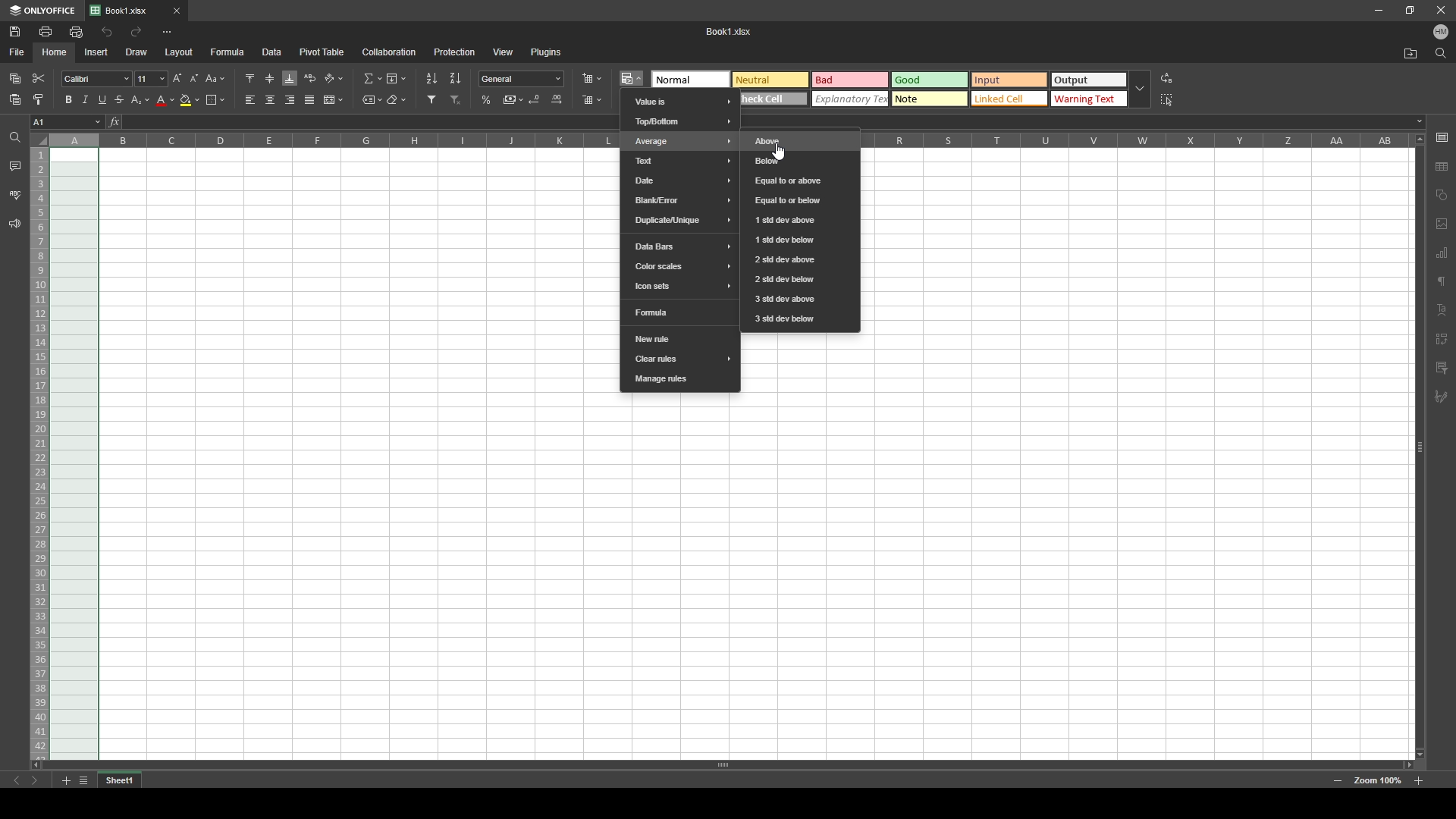 The image size is (1456, 819). I want to click on formula, so click(227, 51).